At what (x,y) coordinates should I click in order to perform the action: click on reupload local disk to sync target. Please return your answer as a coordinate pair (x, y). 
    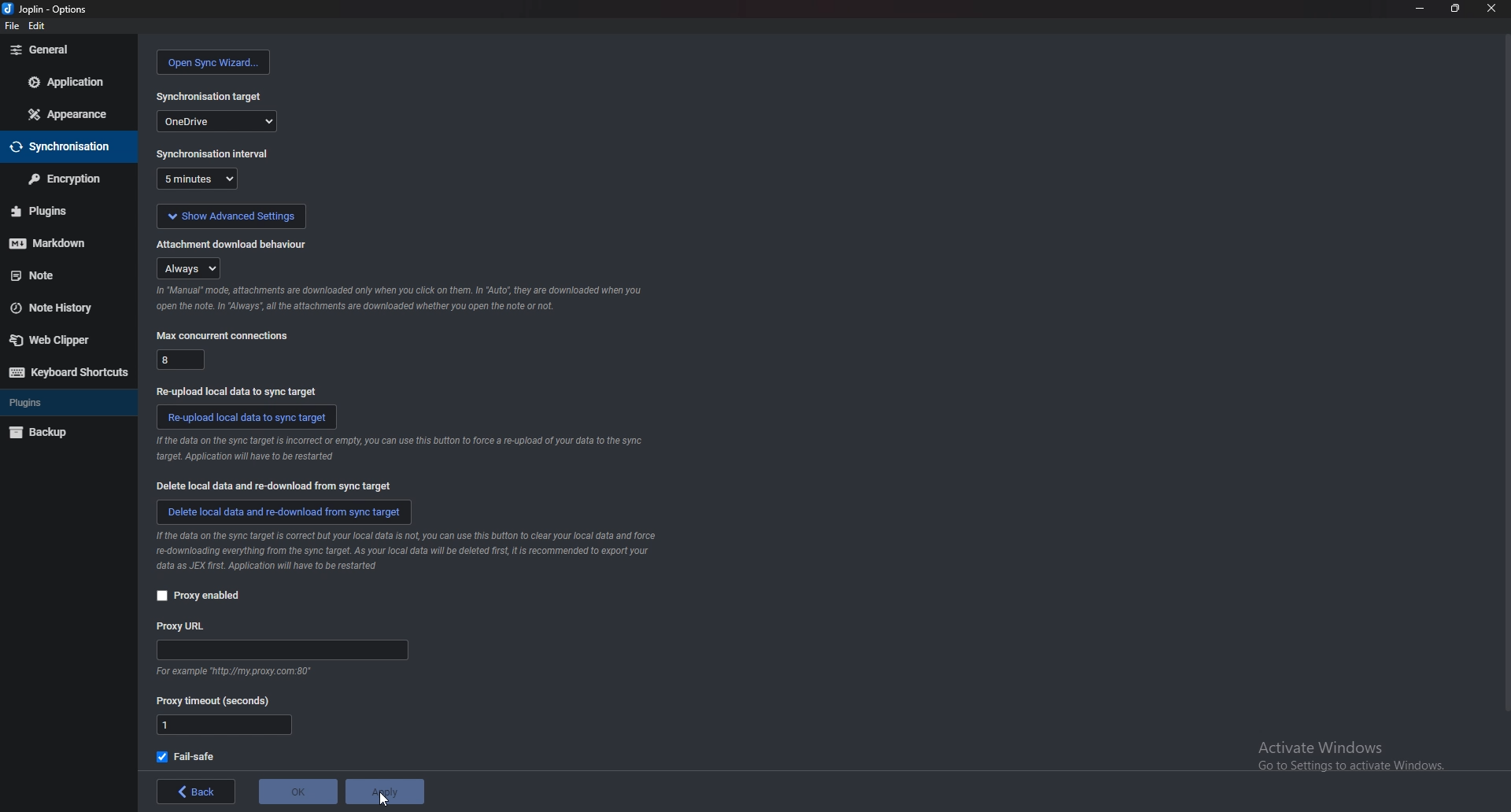
    Looking at the image, I should click on (247, 418).